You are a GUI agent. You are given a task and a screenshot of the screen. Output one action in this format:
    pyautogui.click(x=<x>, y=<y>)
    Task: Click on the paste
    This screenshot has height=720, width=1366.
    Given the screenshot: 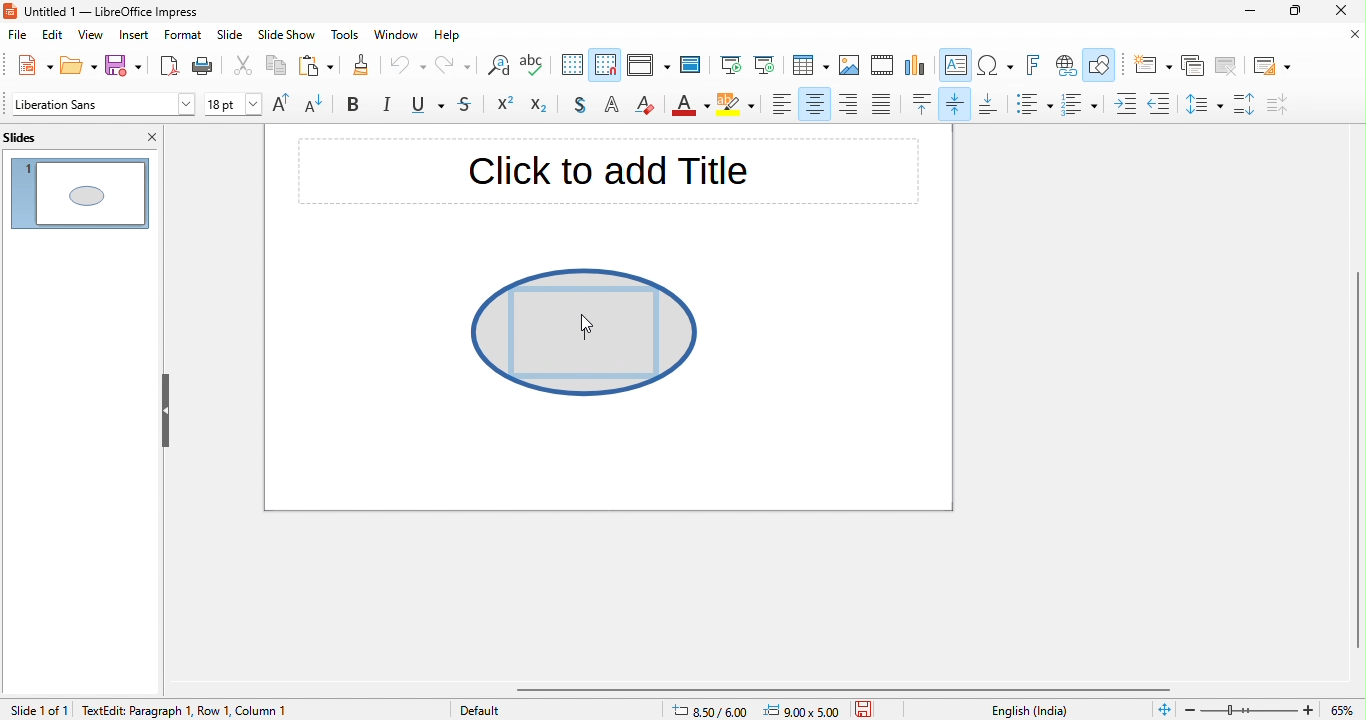 What is the action you would take?
    pyautogui.click(x=313, y=67)
    